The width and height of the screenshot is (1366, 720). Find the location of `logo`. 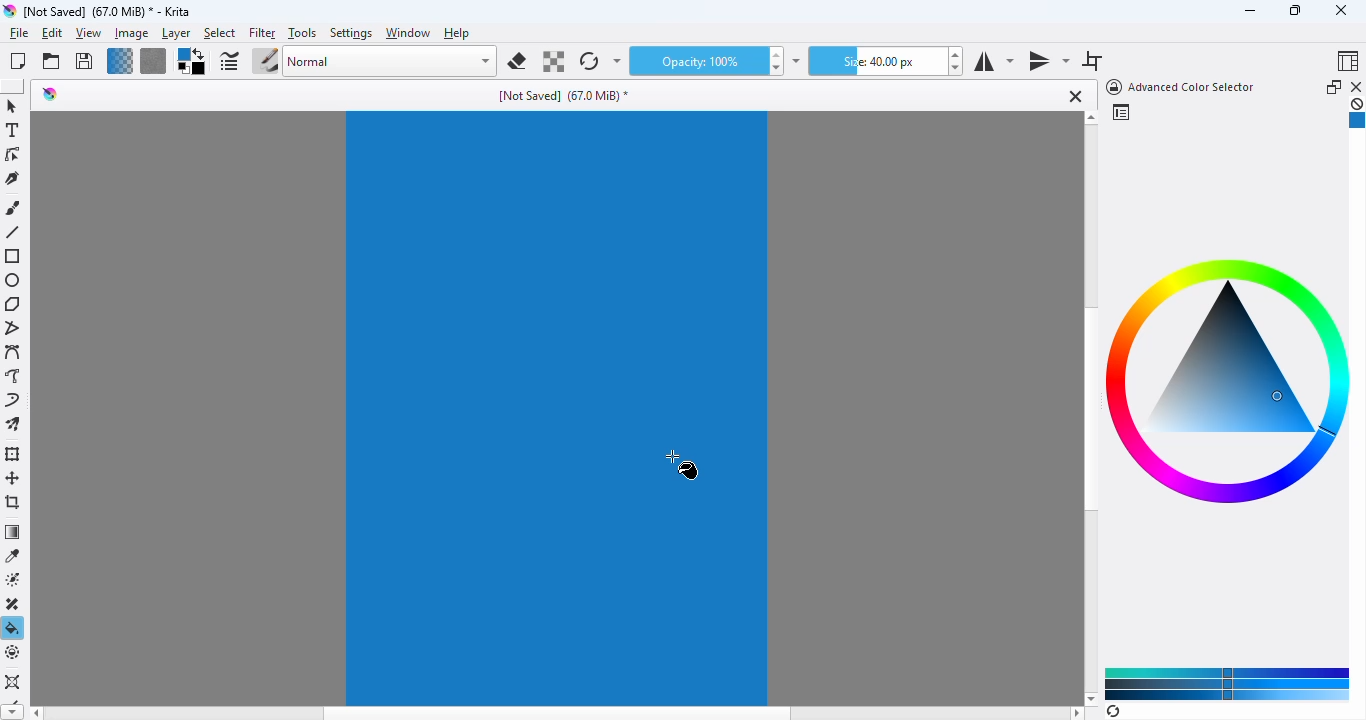

logo is located at coordinates (50, 94).